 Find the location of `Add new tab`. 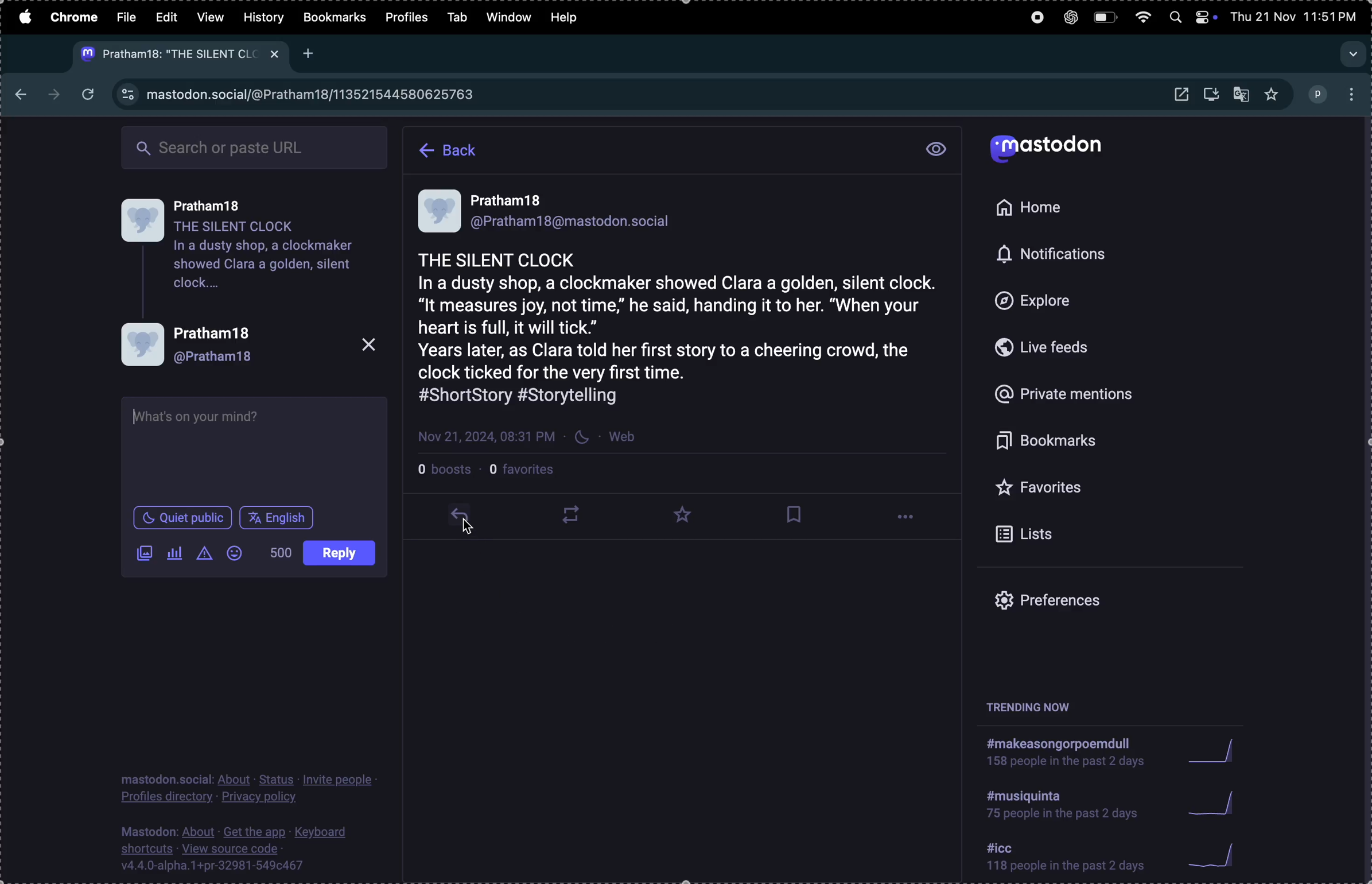

Add new tab is located at coordinates (306, 55).